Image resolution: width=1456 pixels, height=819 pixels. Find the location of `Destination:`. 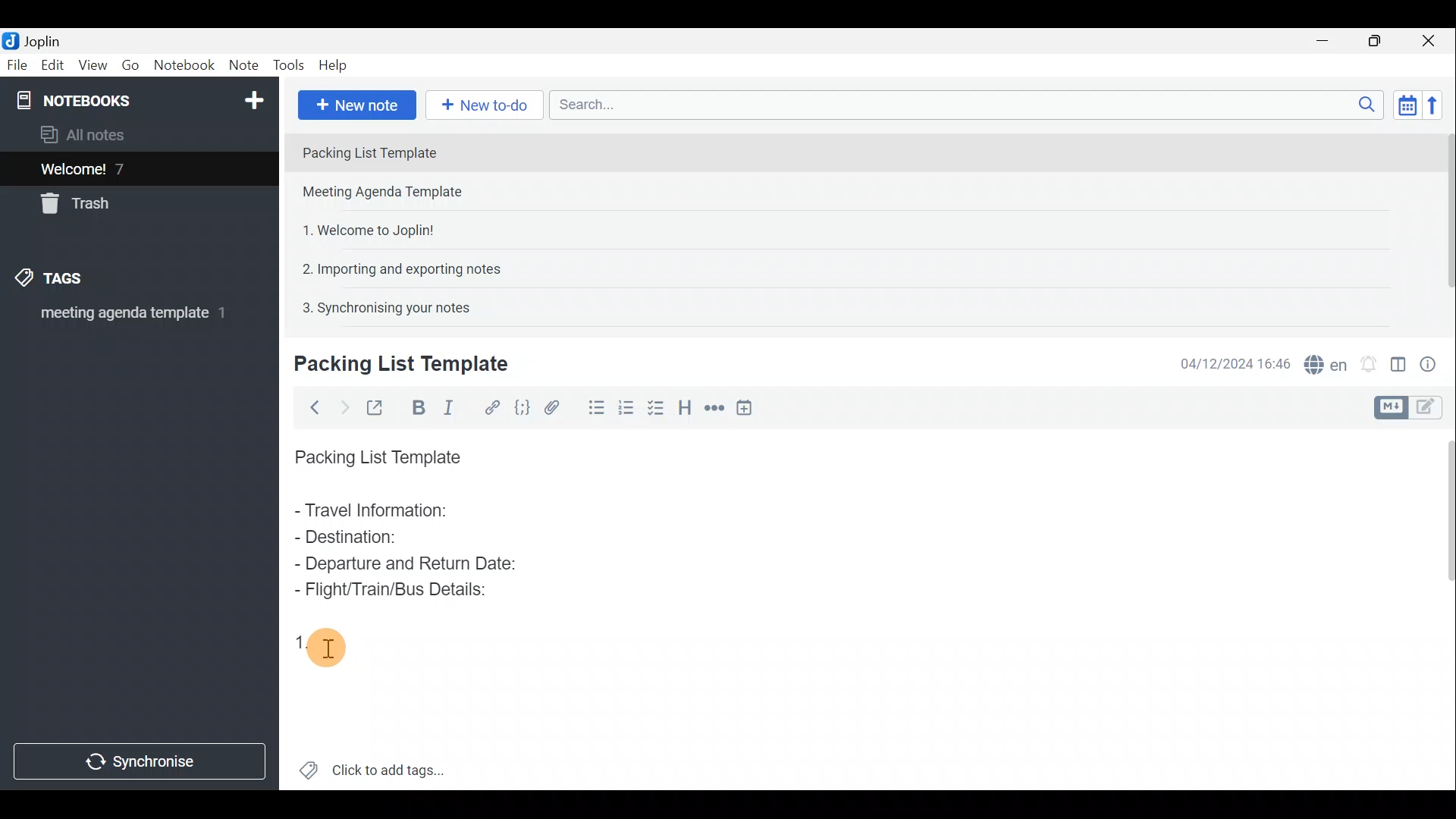

Destination: is located at coordinates (385, 538).